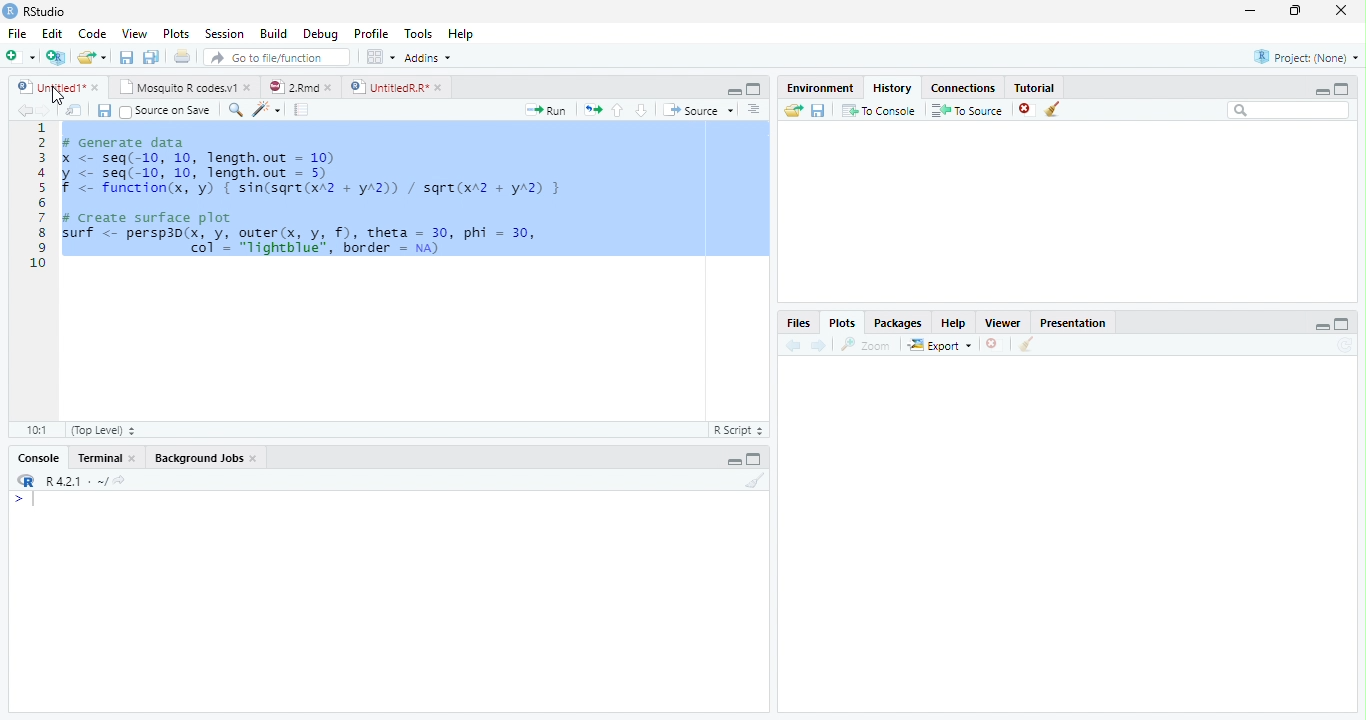 The height and width of the screenshot is (720, 1366). Describe the element at coordinates (84, 57) in the screenshot. I see `Open an existing file` at that location.